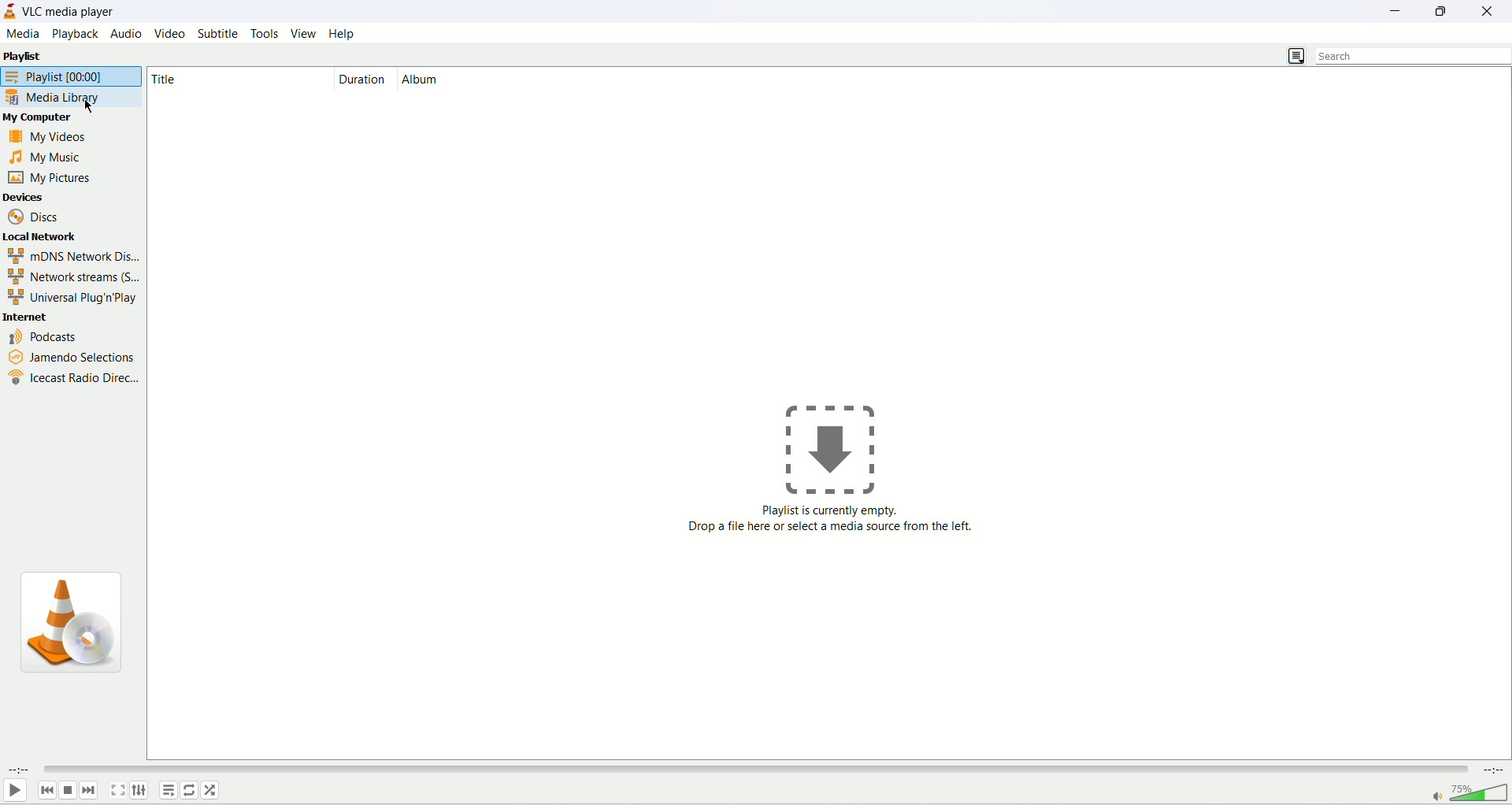 This screenshot has height=805, width=1512. Describe the element at coordinates (833, 532) in the screenshot. I see `playlist is currently empty. Drop a file here or select a media source from the left.` at that location.